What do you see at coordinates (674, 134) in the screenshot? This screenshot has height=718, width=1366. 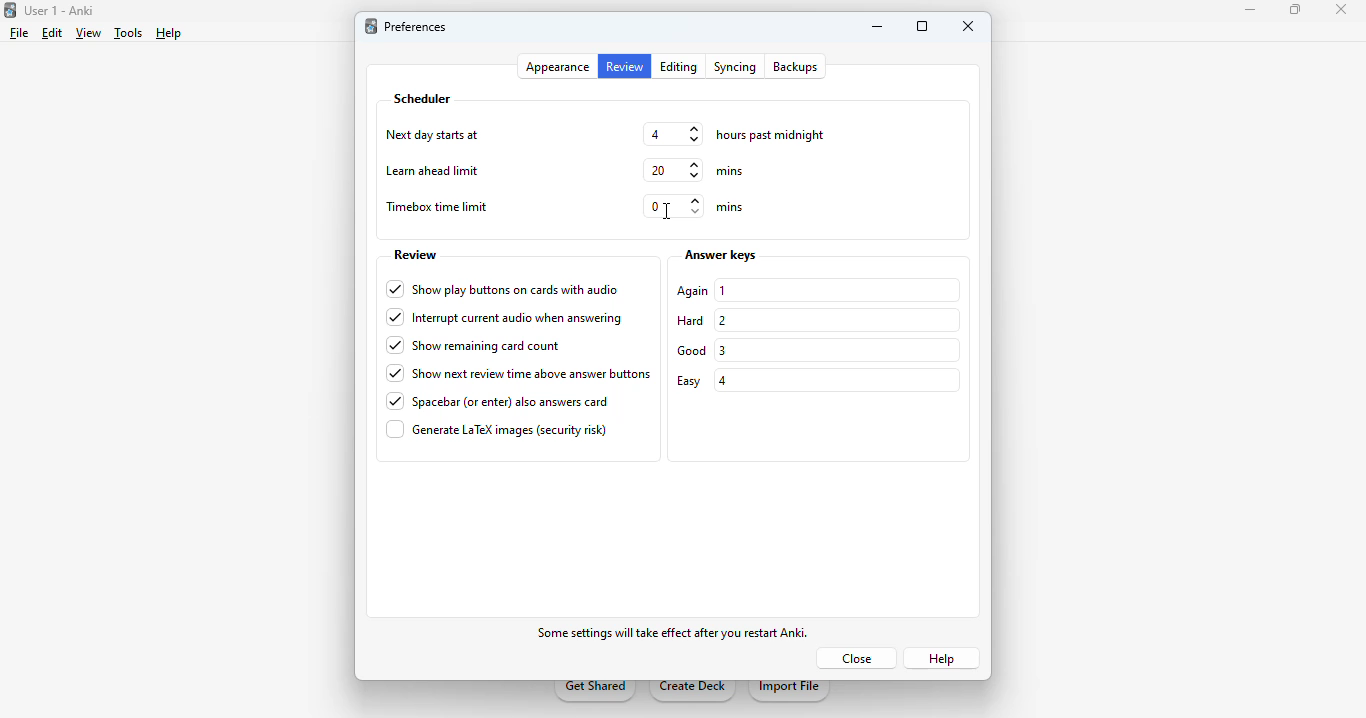 I see `4` at bounding box center [674, 134].